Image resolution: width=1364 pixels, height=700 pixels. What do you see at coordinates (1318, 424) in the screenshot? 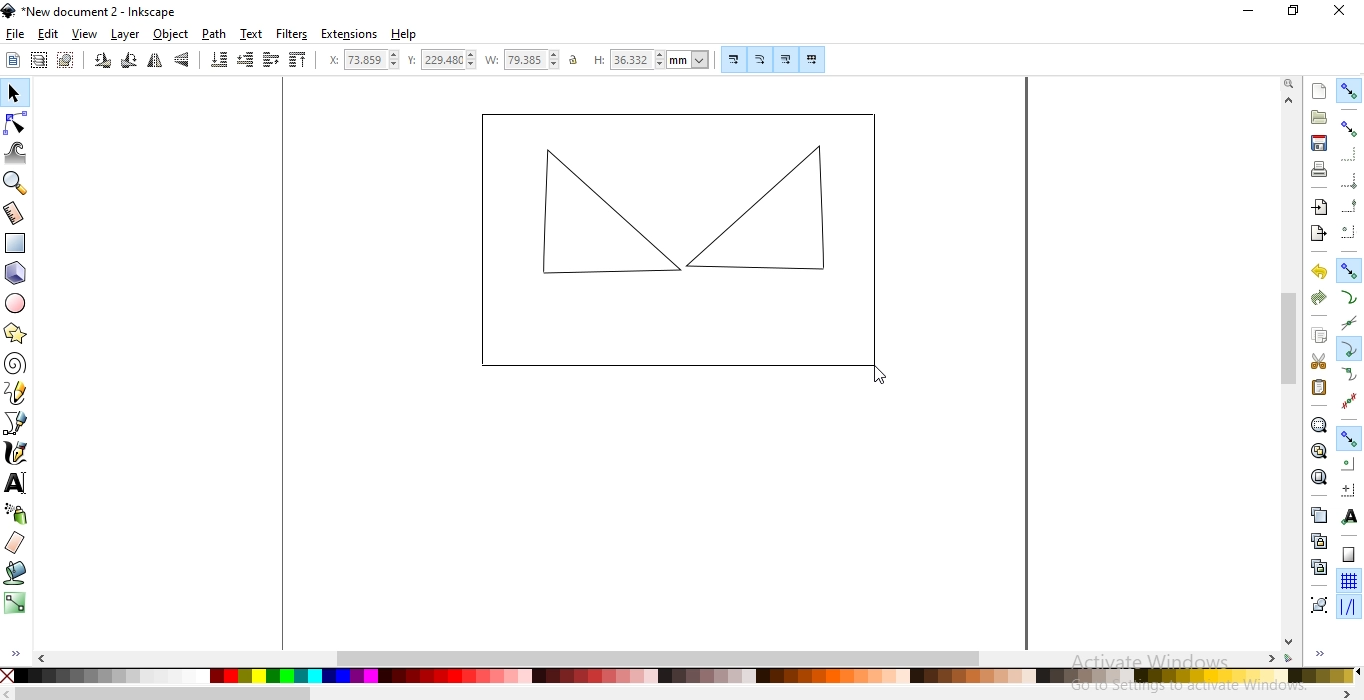
I see `zoom to fit selection` at bounding box center [1318, 424].